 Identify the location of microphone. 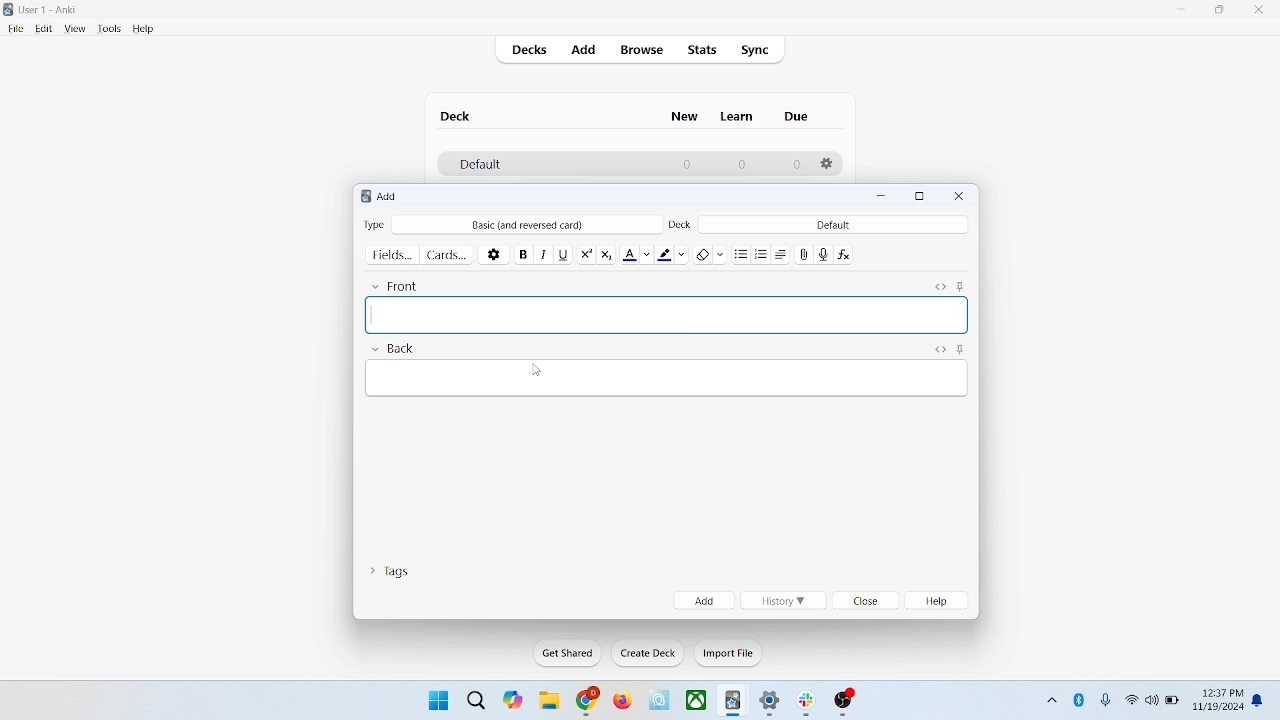
(1107, 701).